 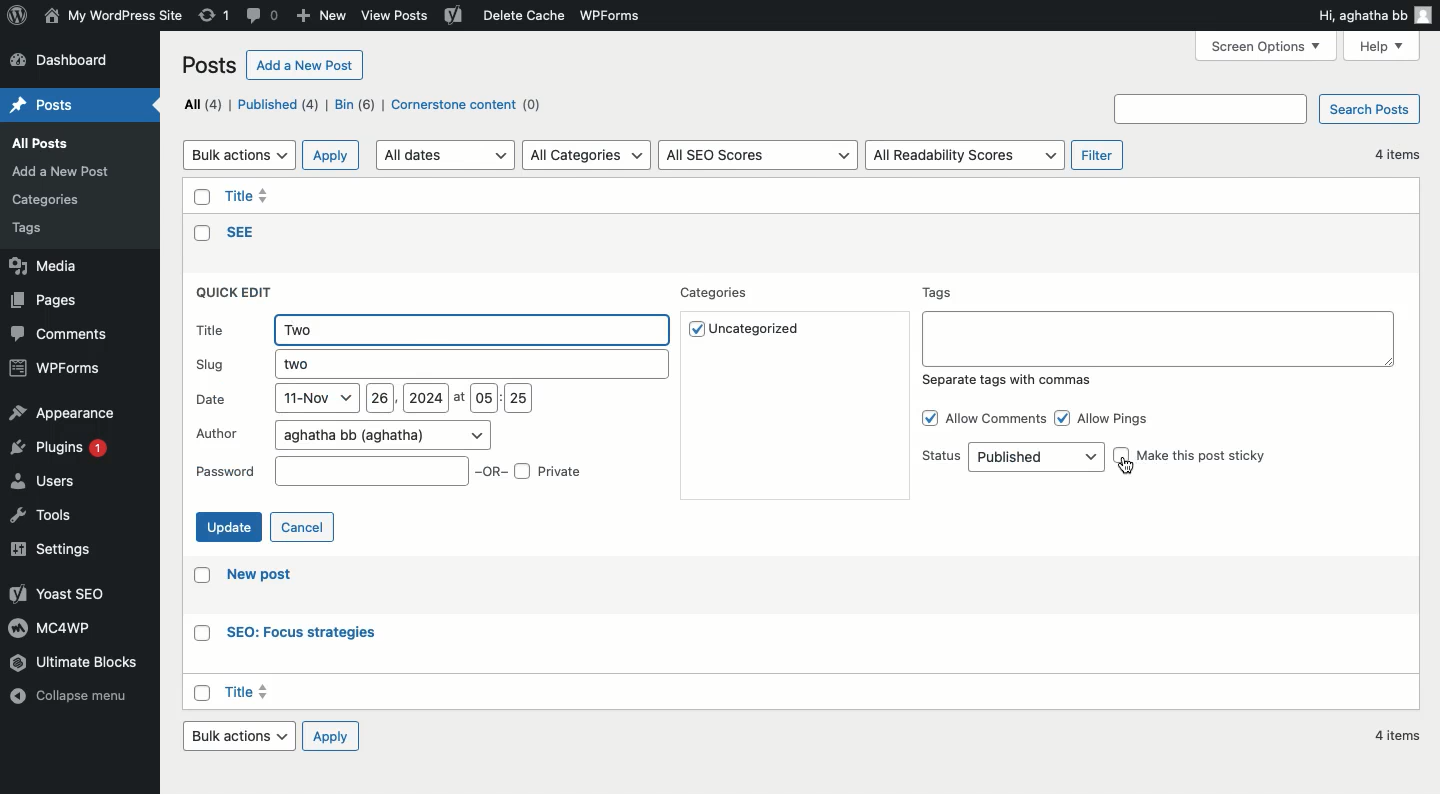 What do you see at coordinates (469, 105) in the screenshot?
I see `Cornerstone content` at bounding box center [469, 105].